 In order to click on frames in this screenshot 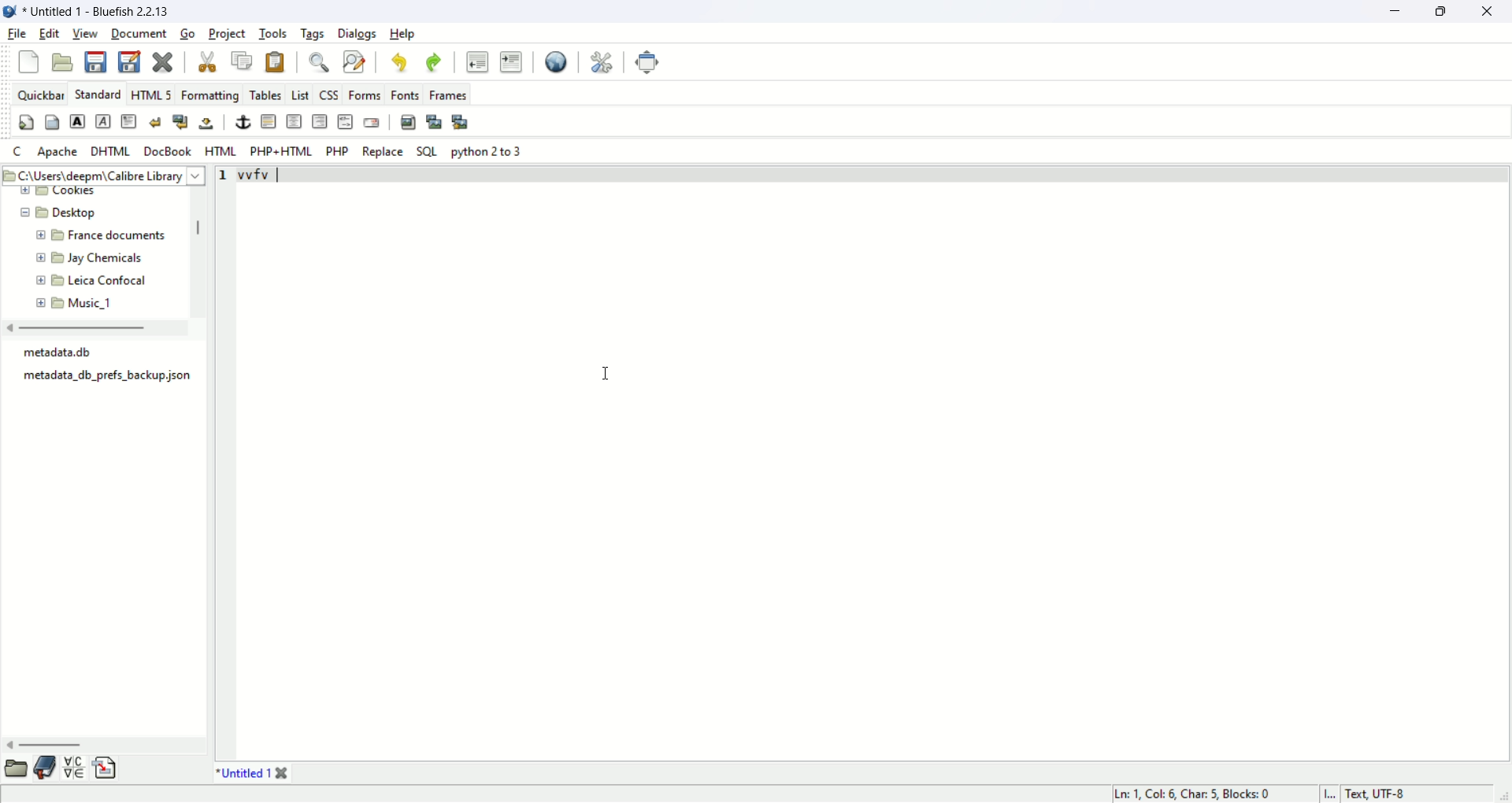, I will do `click(450, 94)`.